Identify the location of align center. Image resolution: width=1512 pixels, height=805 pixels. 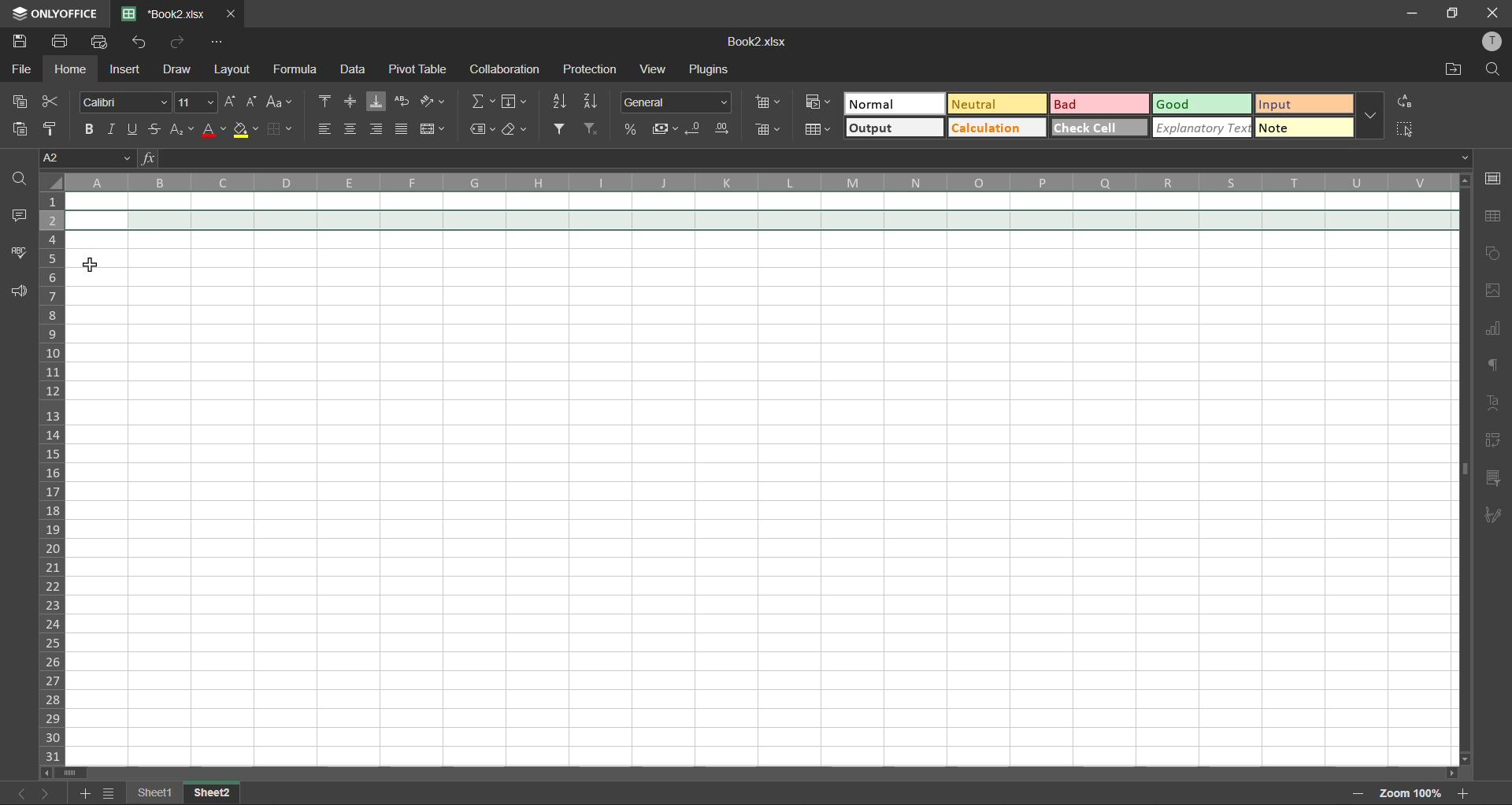
(352, 129).